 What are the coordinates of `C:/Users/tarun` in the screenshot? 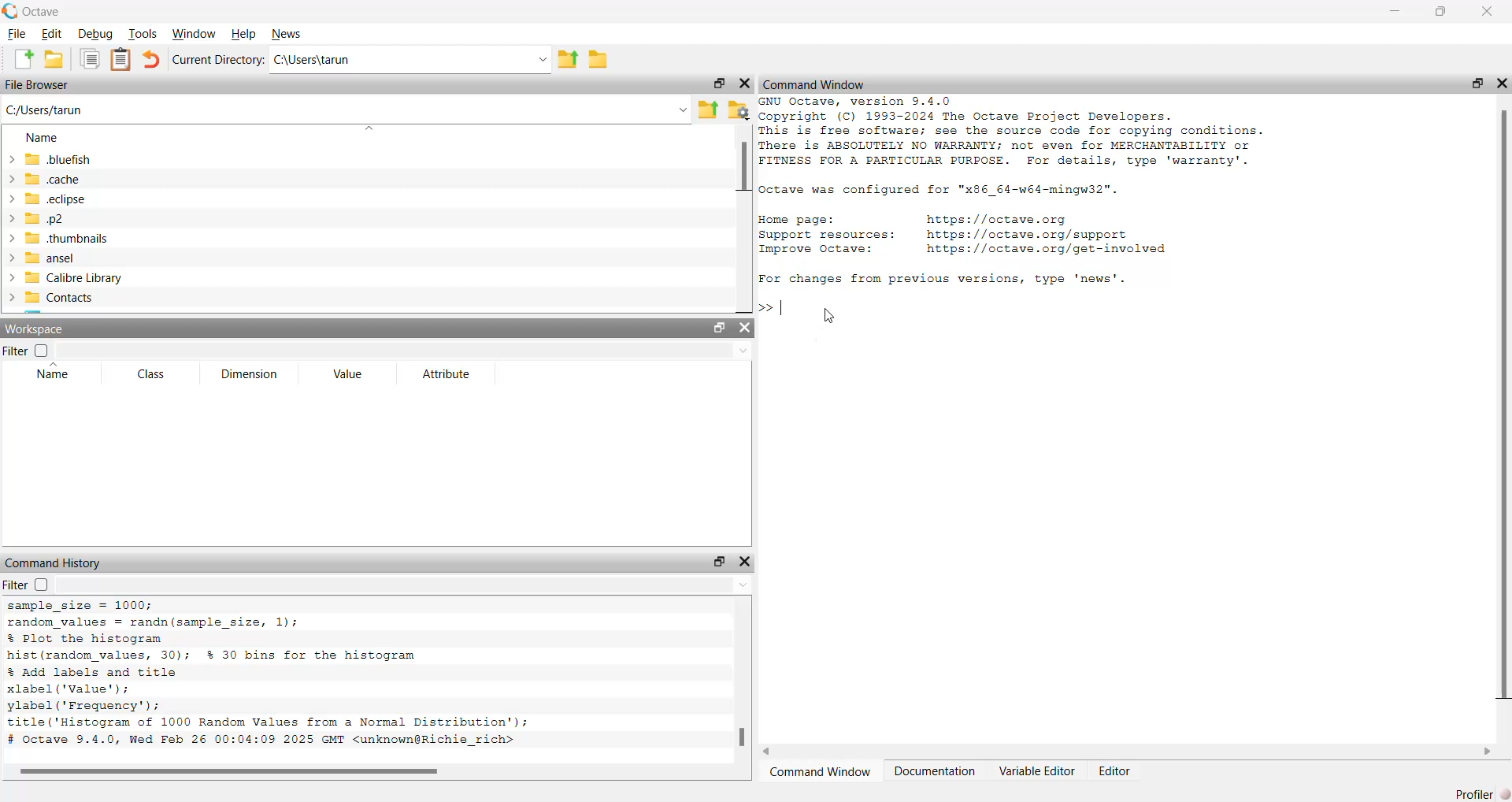 It's located at (45, 111).